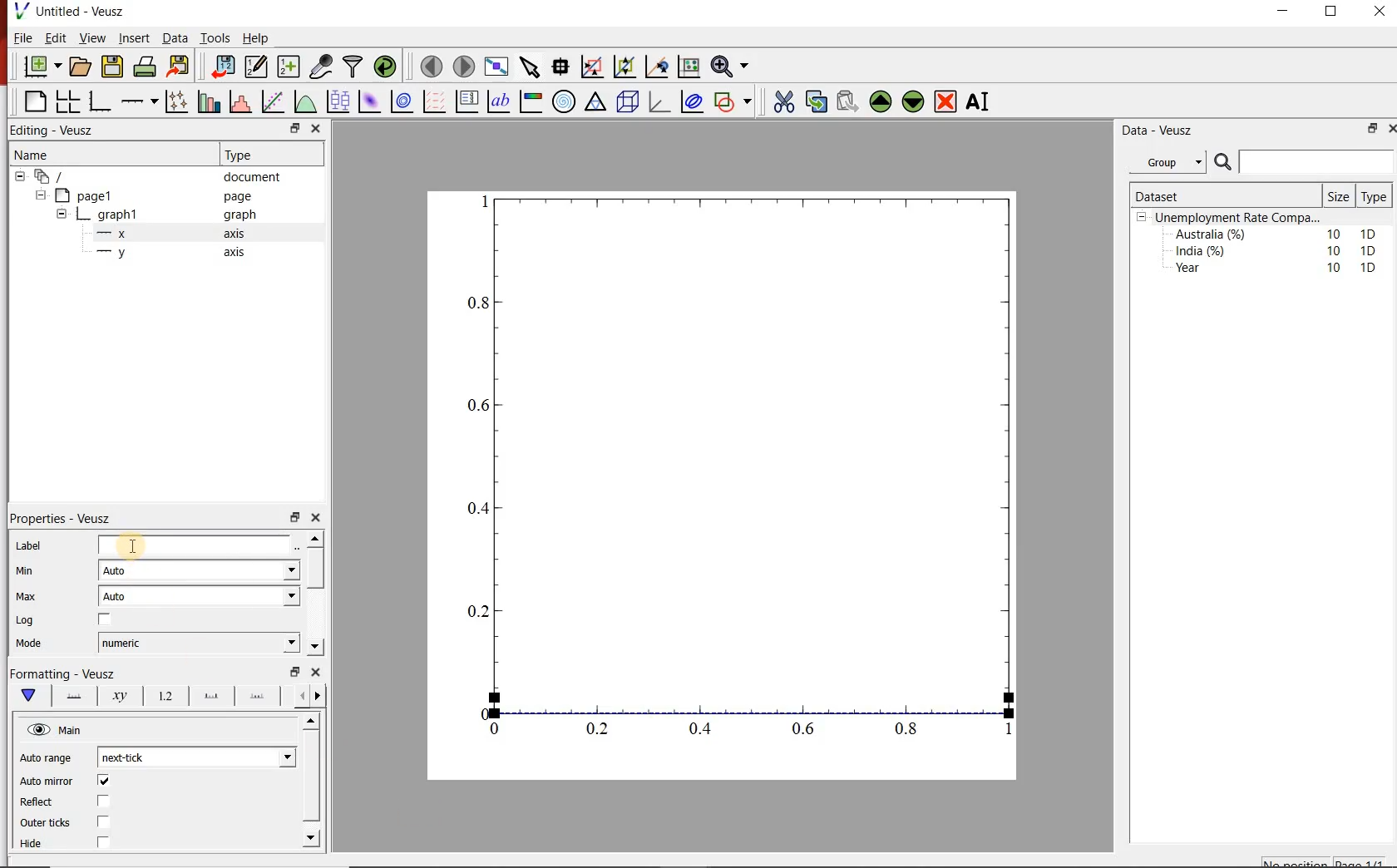  I want to click on Size, so click(1340, 196).